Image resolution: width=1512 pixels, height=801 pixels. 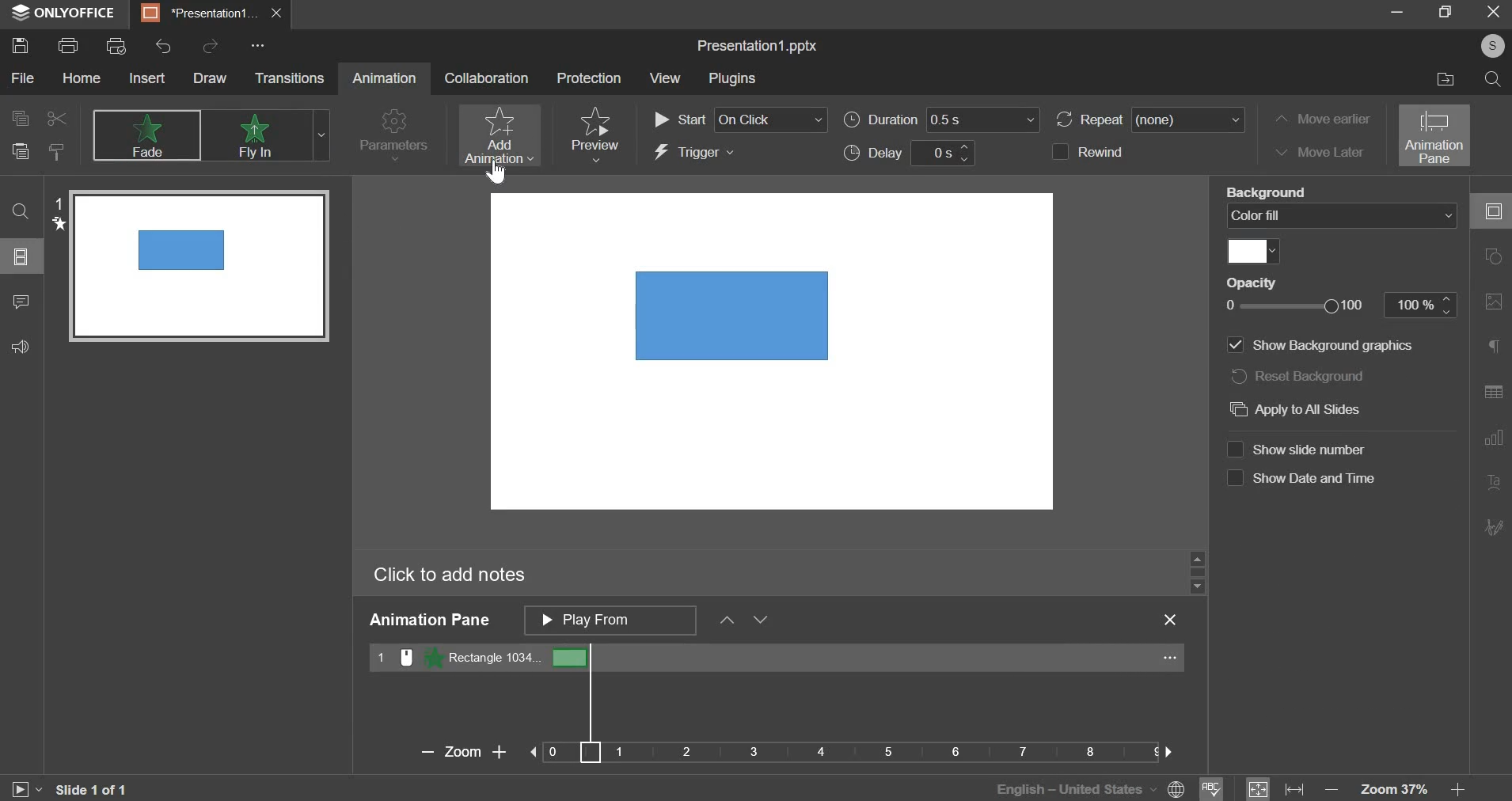 What do you see at coordinates (500, 172) in the screenshot?
I see `Cursor` at bounding box center [500, 172].